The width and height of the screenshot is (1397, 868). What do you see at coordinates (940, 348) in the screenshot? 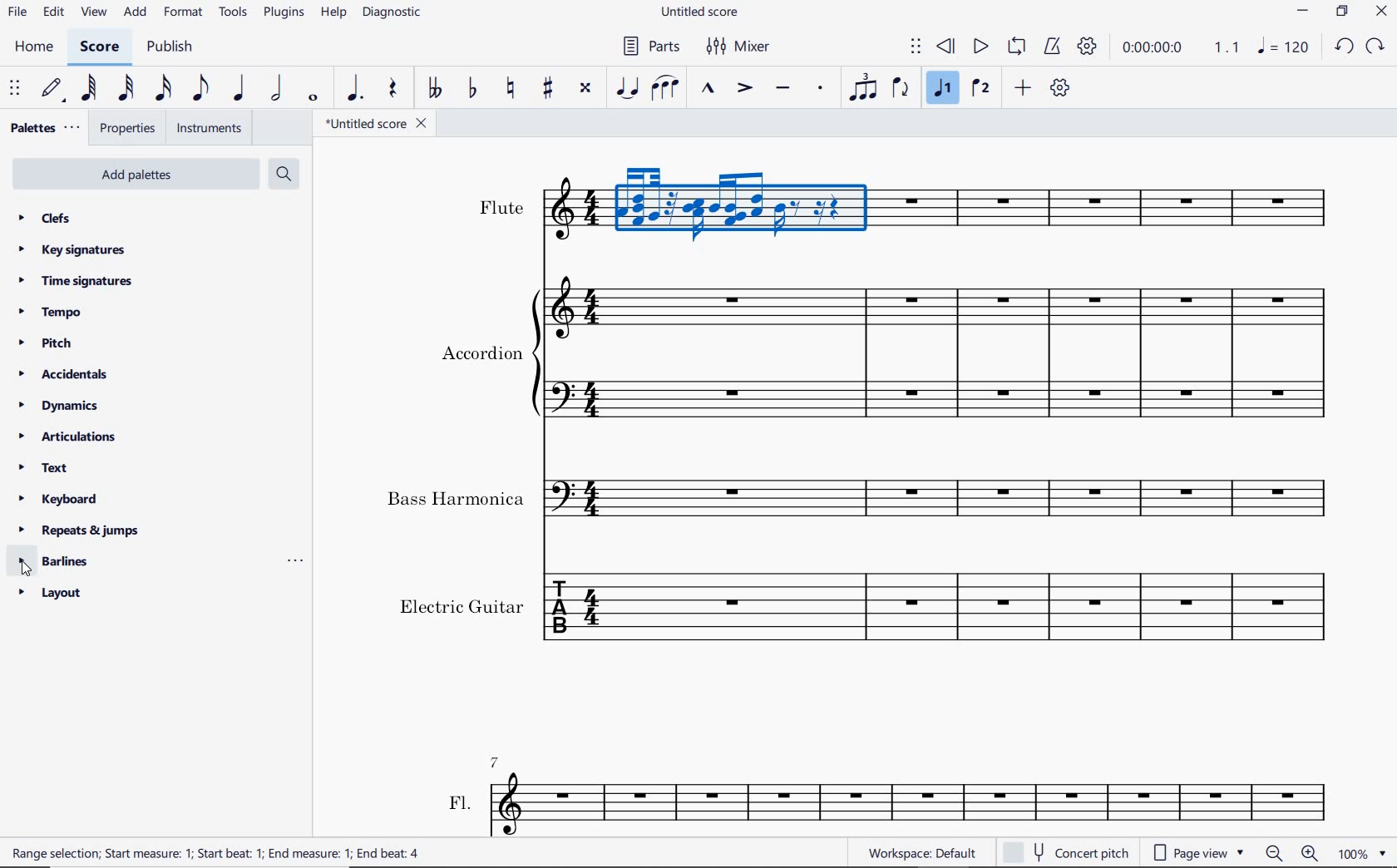
I see `Instrument: Accordion` at bounding box center [940, 348].